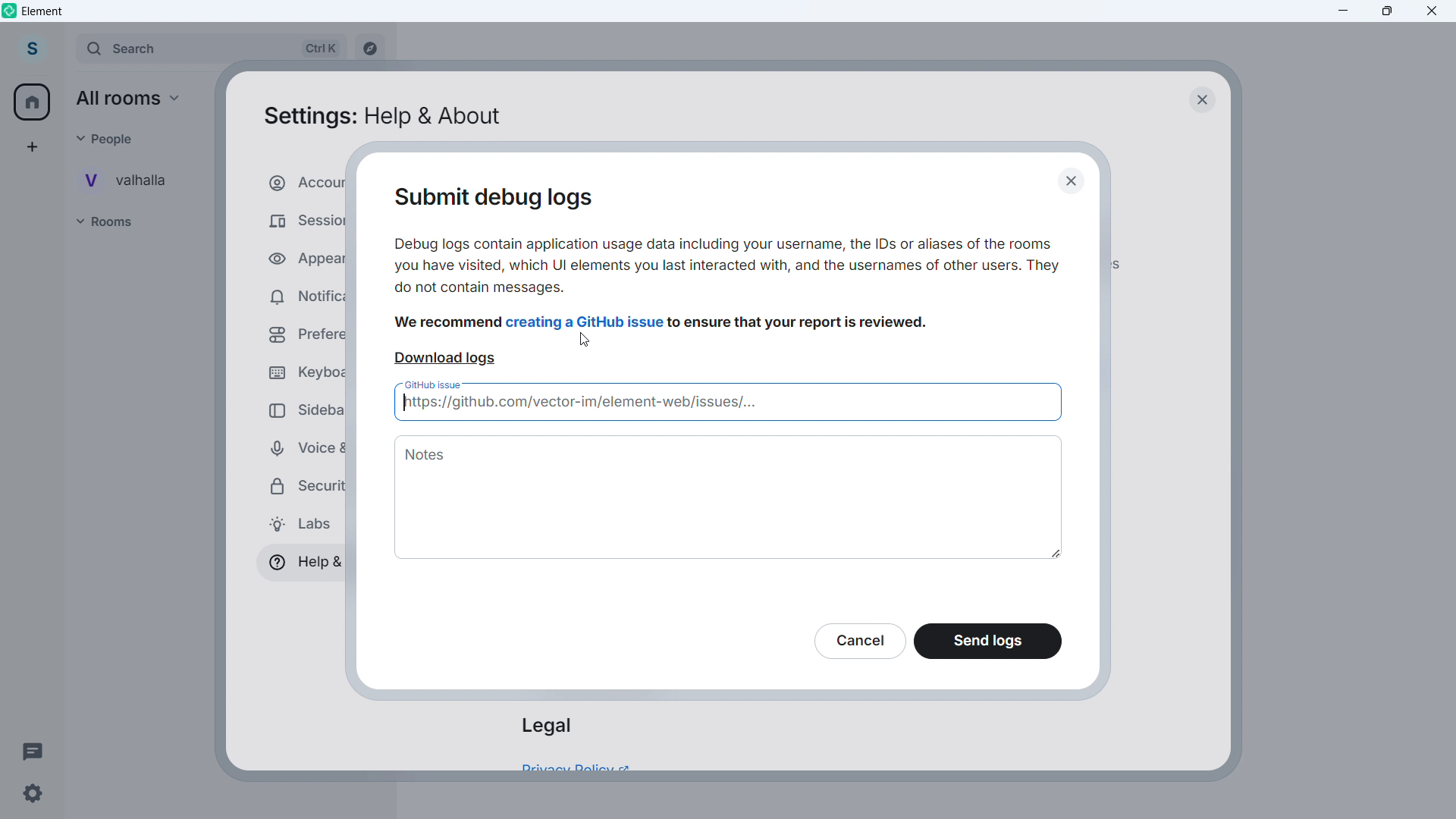  What do you see at coordinates (435, 384) in the screenshot?
I see `github issue` at bounding box center [435, 384].